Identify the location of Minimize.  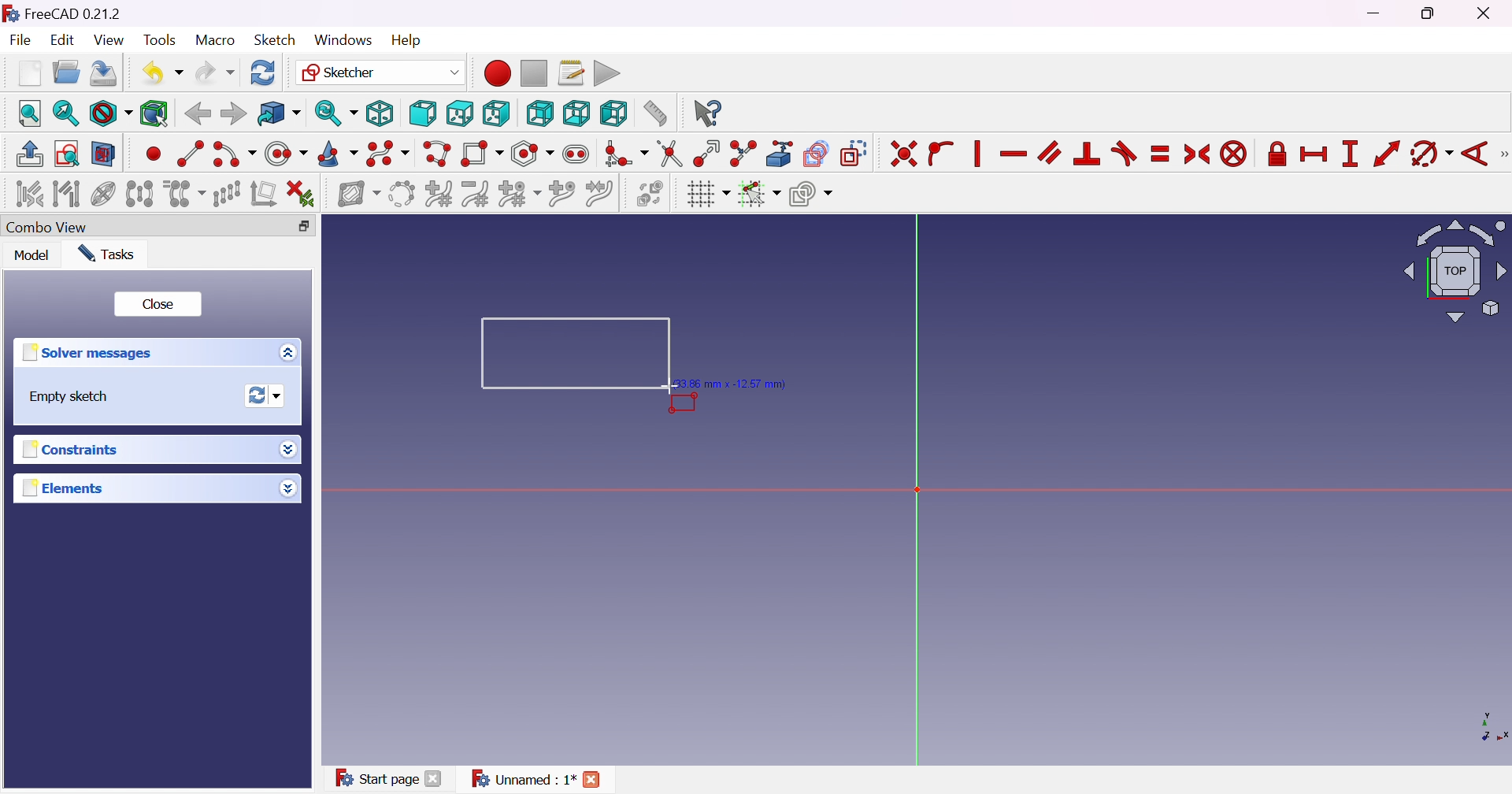
(1379, 13).